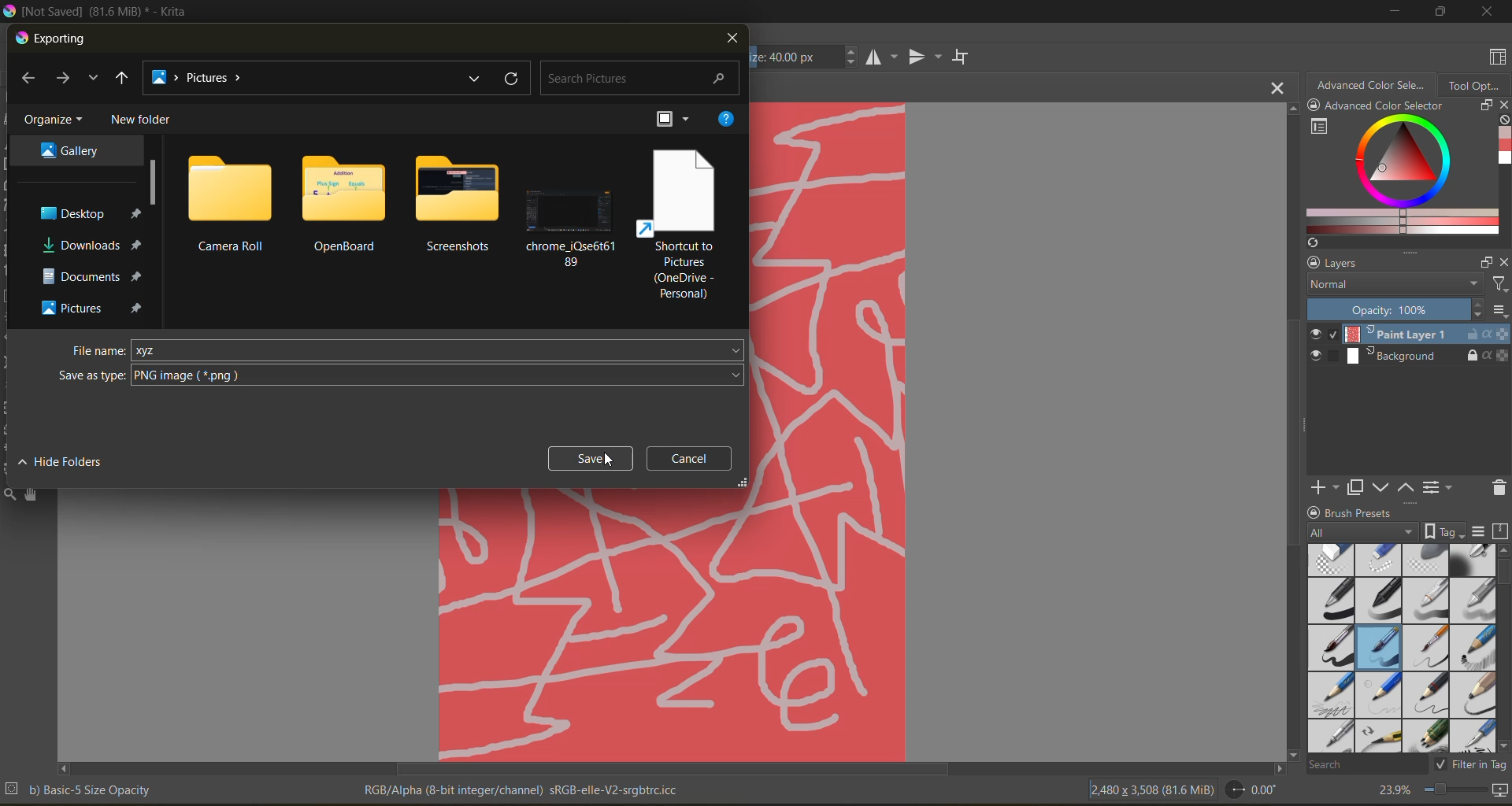 This screenshot has width=1512, height=806. I want to click on normal, so click(1392, 285).